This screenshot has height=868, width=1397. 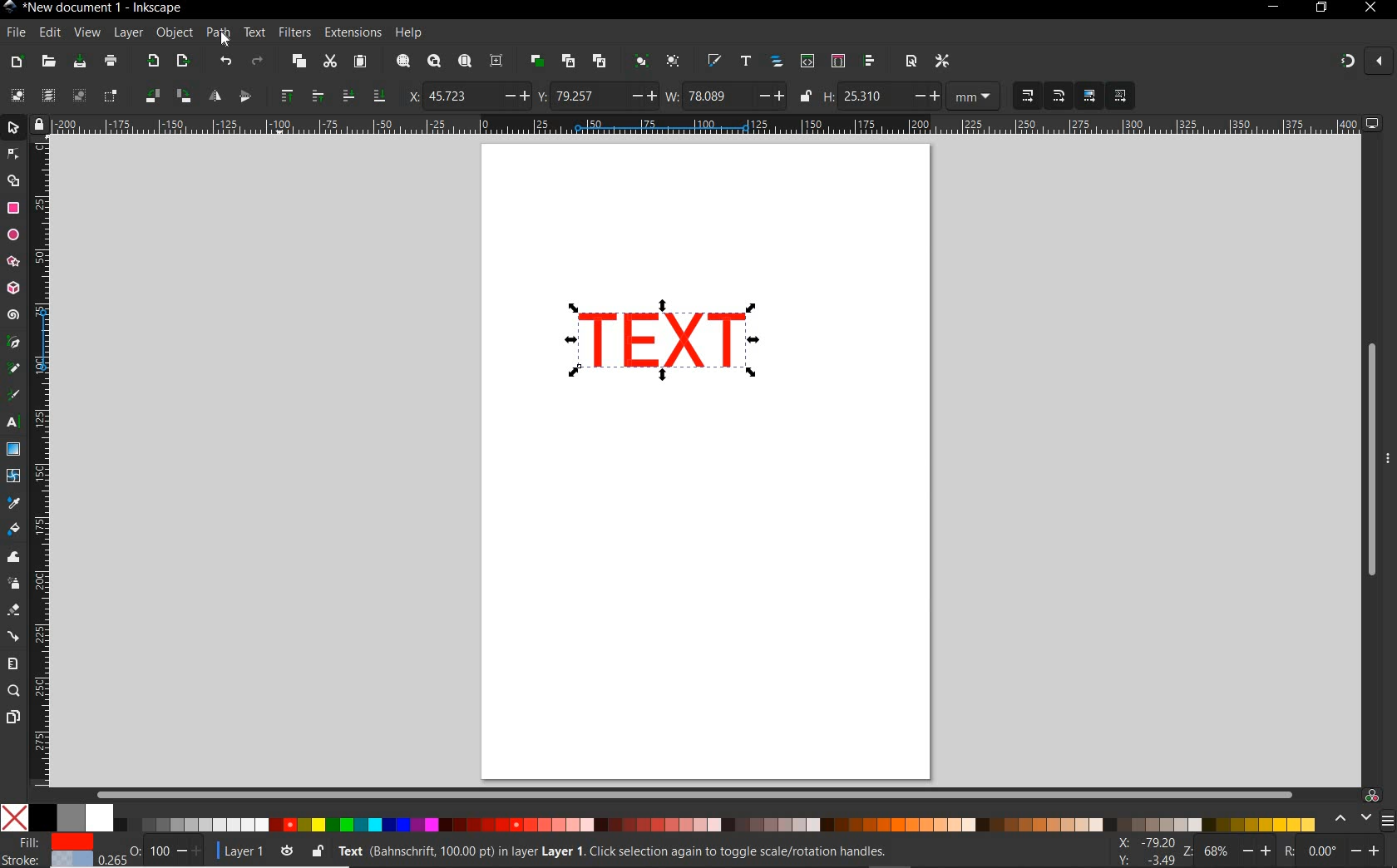 I want to click on LOCK/UNLOCK HEIGHT/WIDTH, so click(x=807, y=96).